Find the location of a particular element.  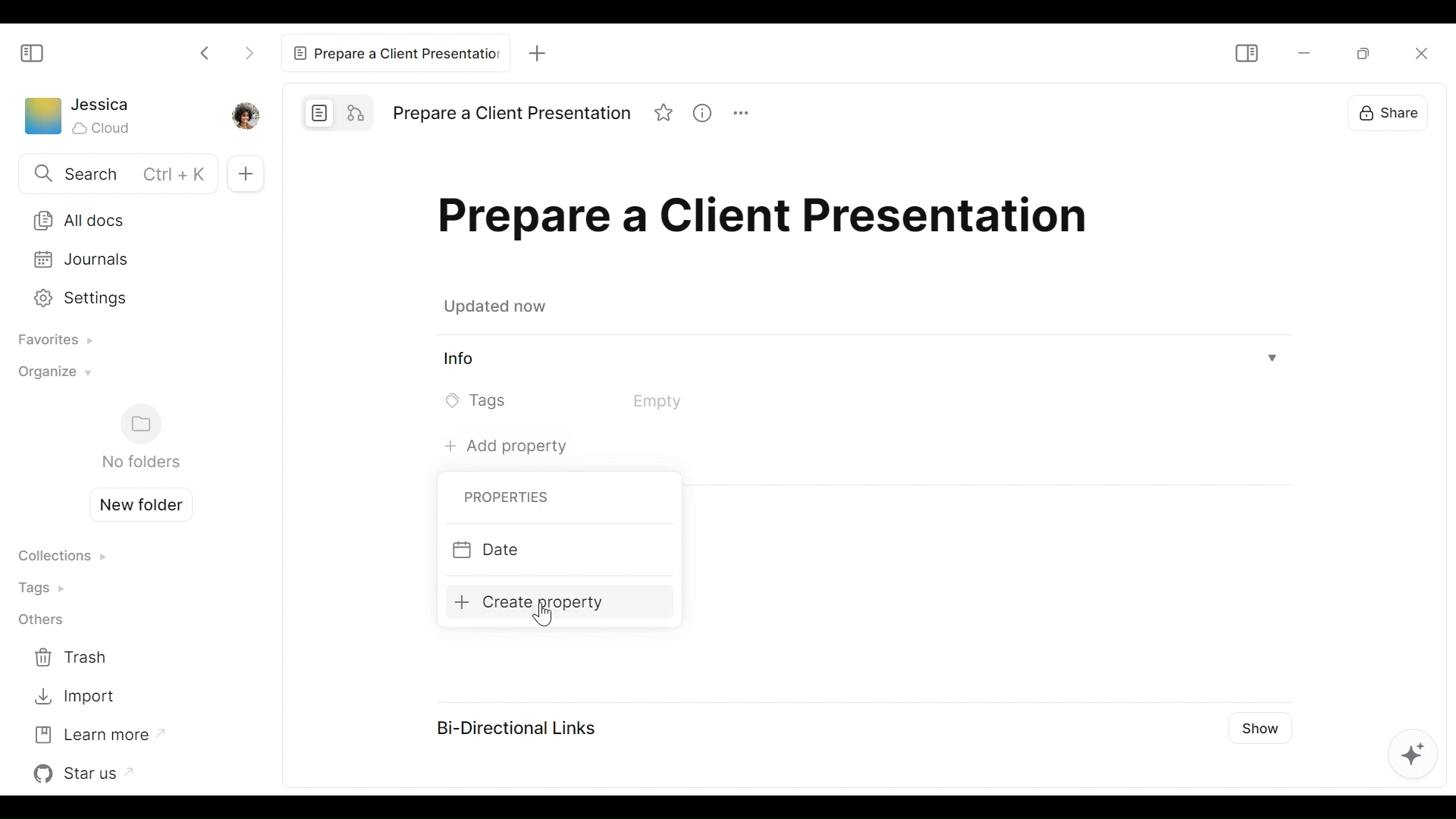

Show/Hide Sidebar is located at coordinates (33, 52).